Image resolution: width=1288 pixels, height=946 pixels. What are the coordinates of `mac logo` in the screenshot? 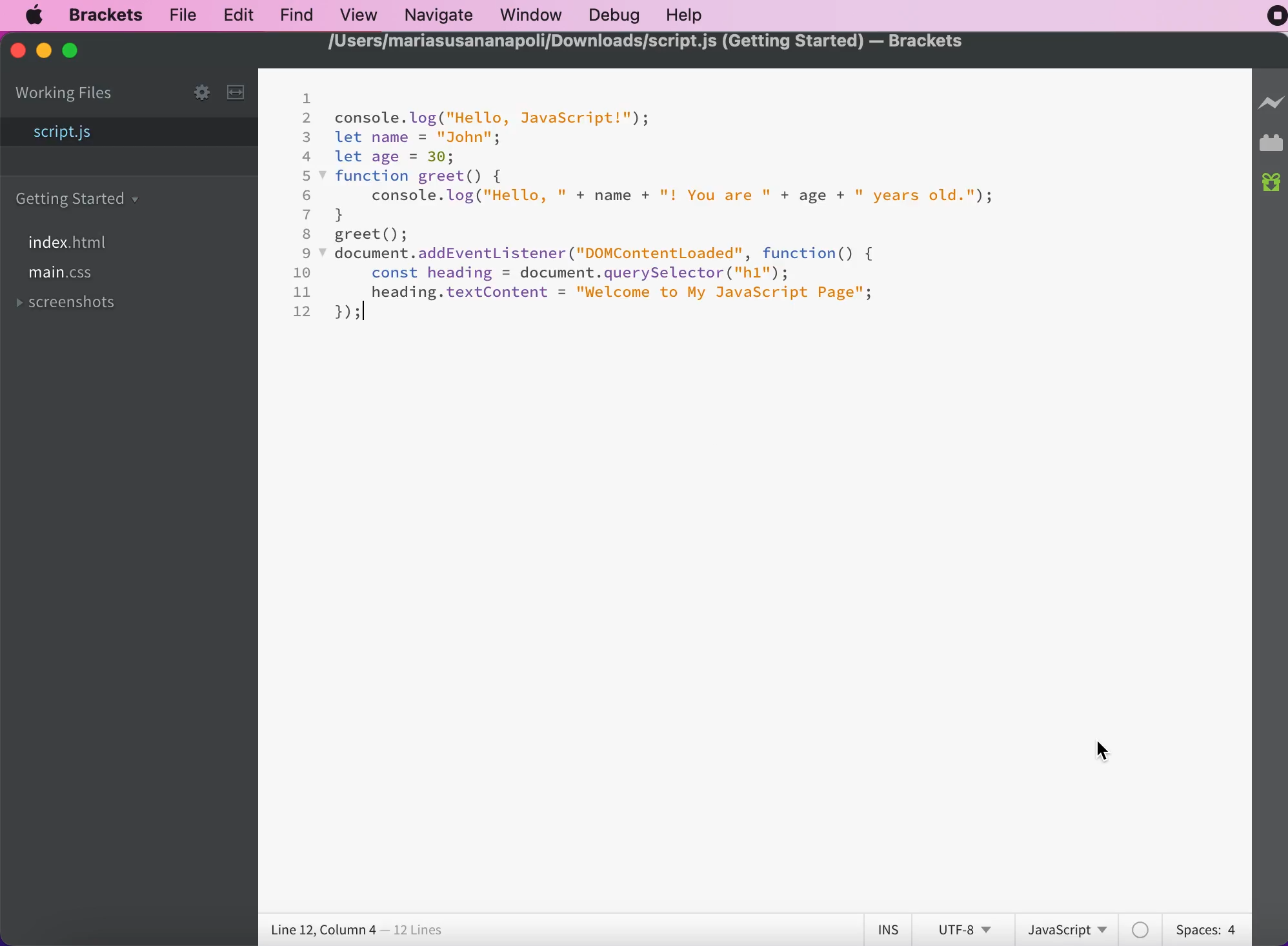 It's located at (37, 15).